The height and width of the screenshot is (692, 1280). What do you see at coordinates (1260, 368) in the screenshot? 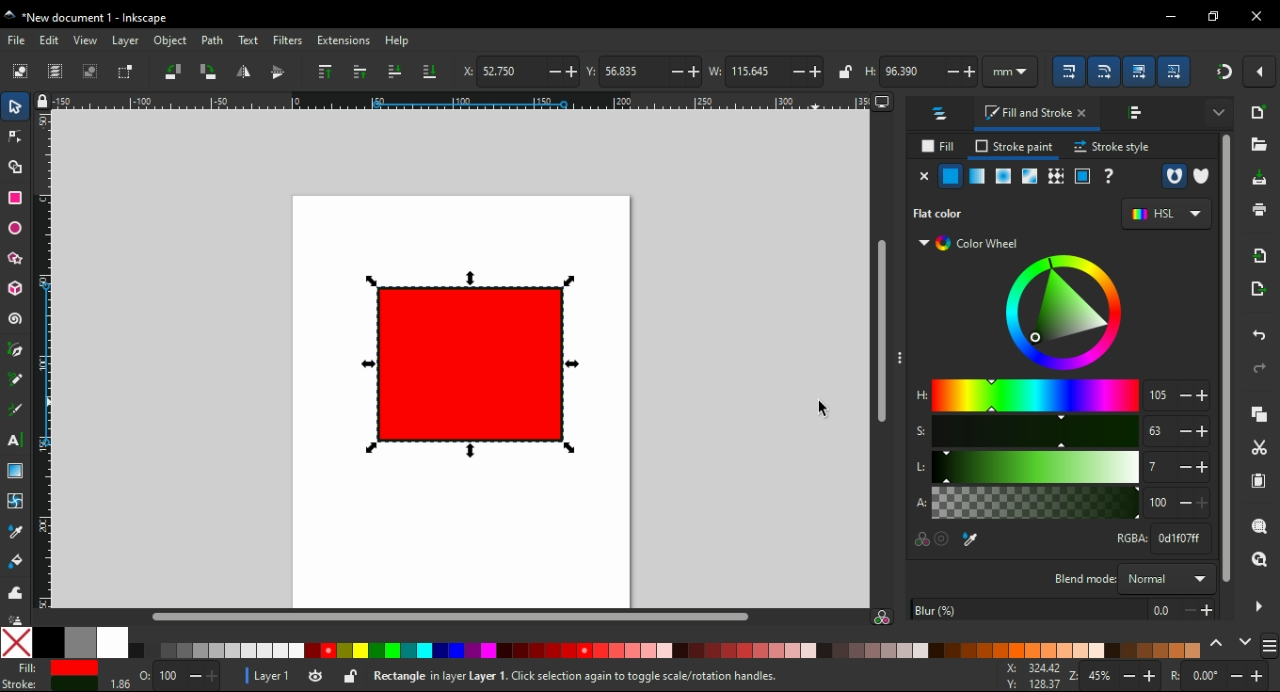
I see `redo` at bounding box center [1260, 368].